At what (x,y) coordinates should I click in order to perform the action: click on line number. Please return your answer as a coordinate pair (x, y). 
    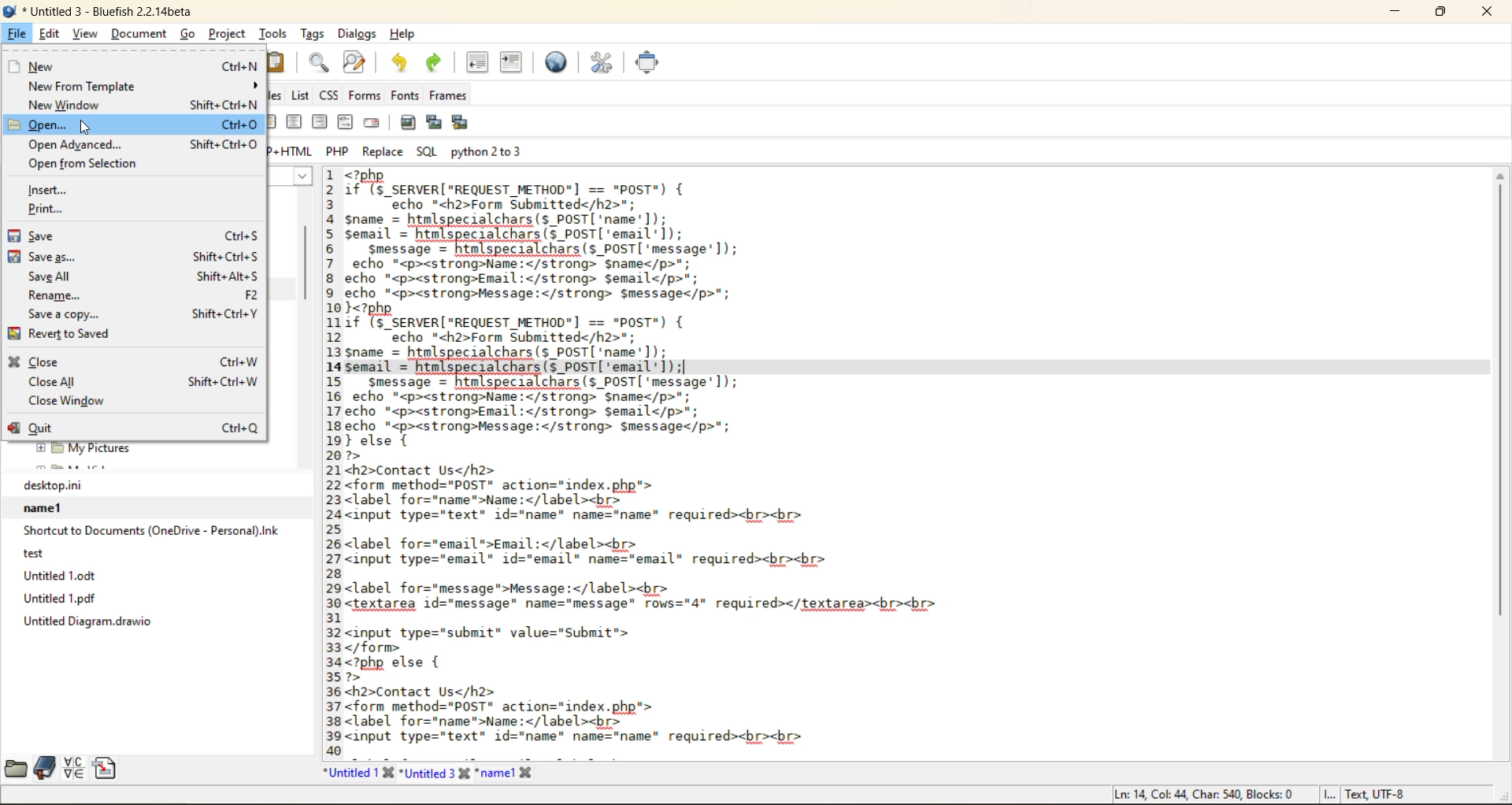
    Looking at the image, I should click on (328, 462).